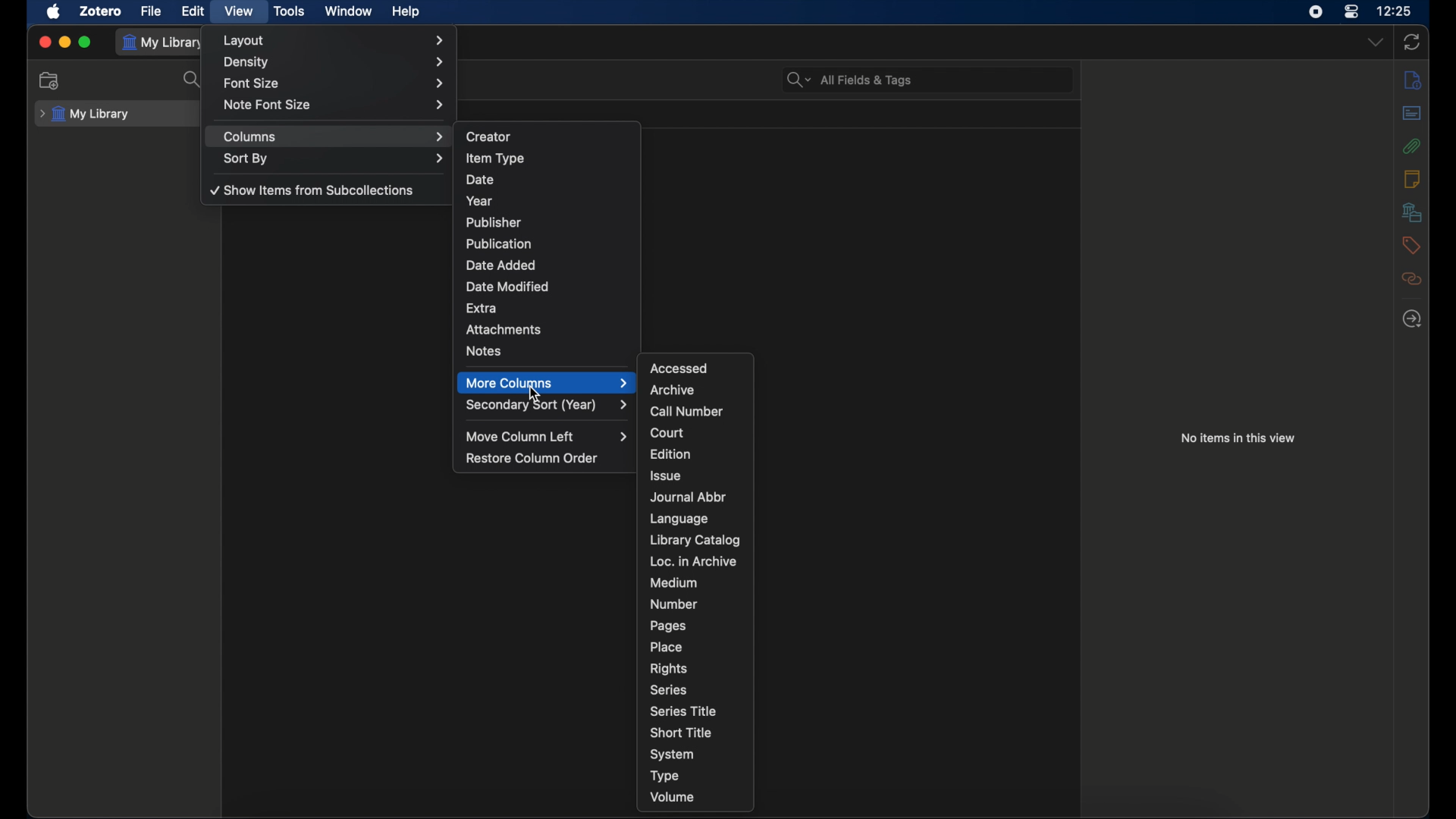 The height and width of the screenshot is (819, 1456). What do you see at coordinates (683, 711) in the screenshot?
I see `series title` at bounding box center [683, 711].